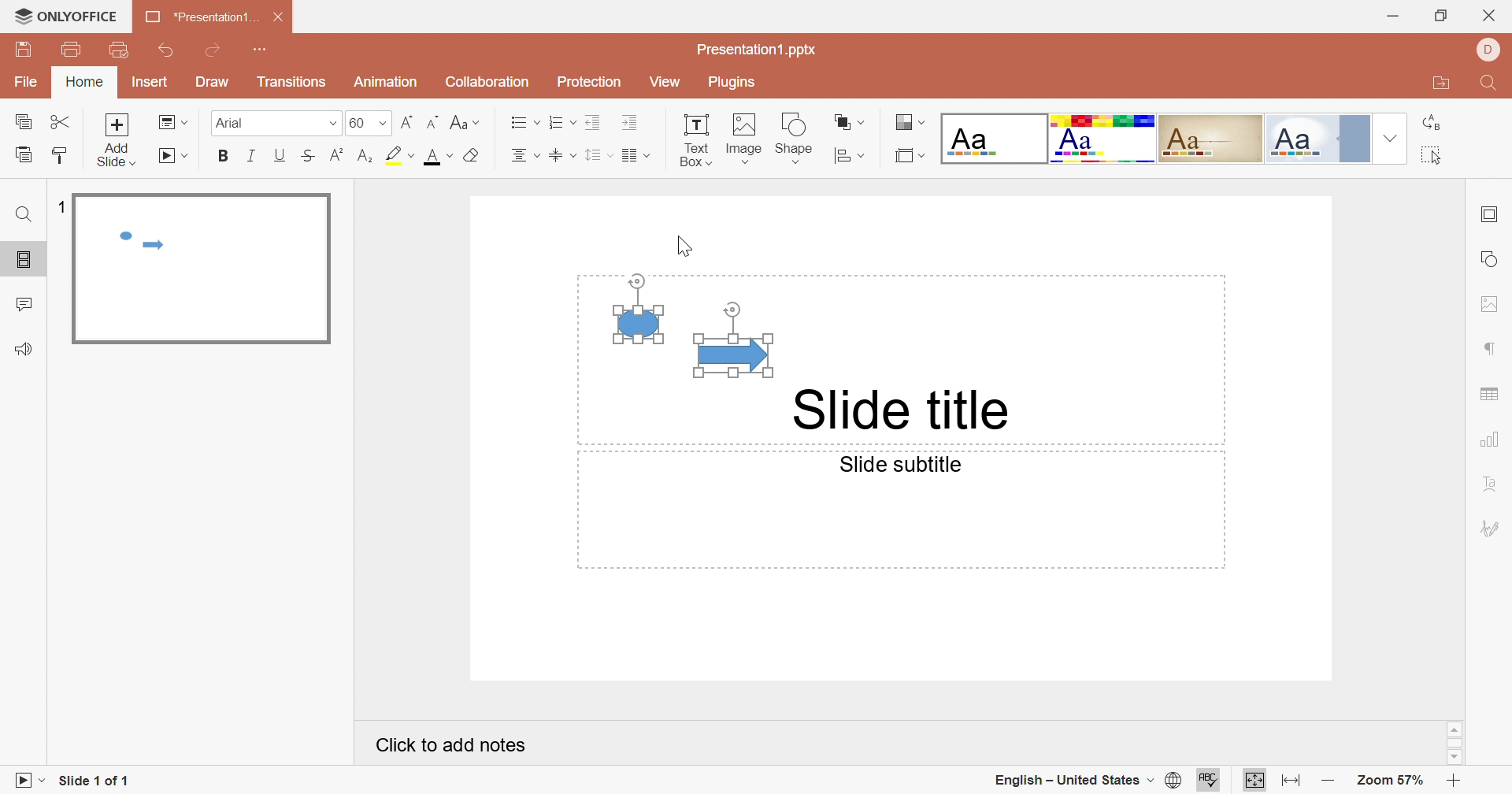 Image resolution: width=1512 pixels, height=794 pixels. I want to click on Slide subtitle, so click(895, 467).